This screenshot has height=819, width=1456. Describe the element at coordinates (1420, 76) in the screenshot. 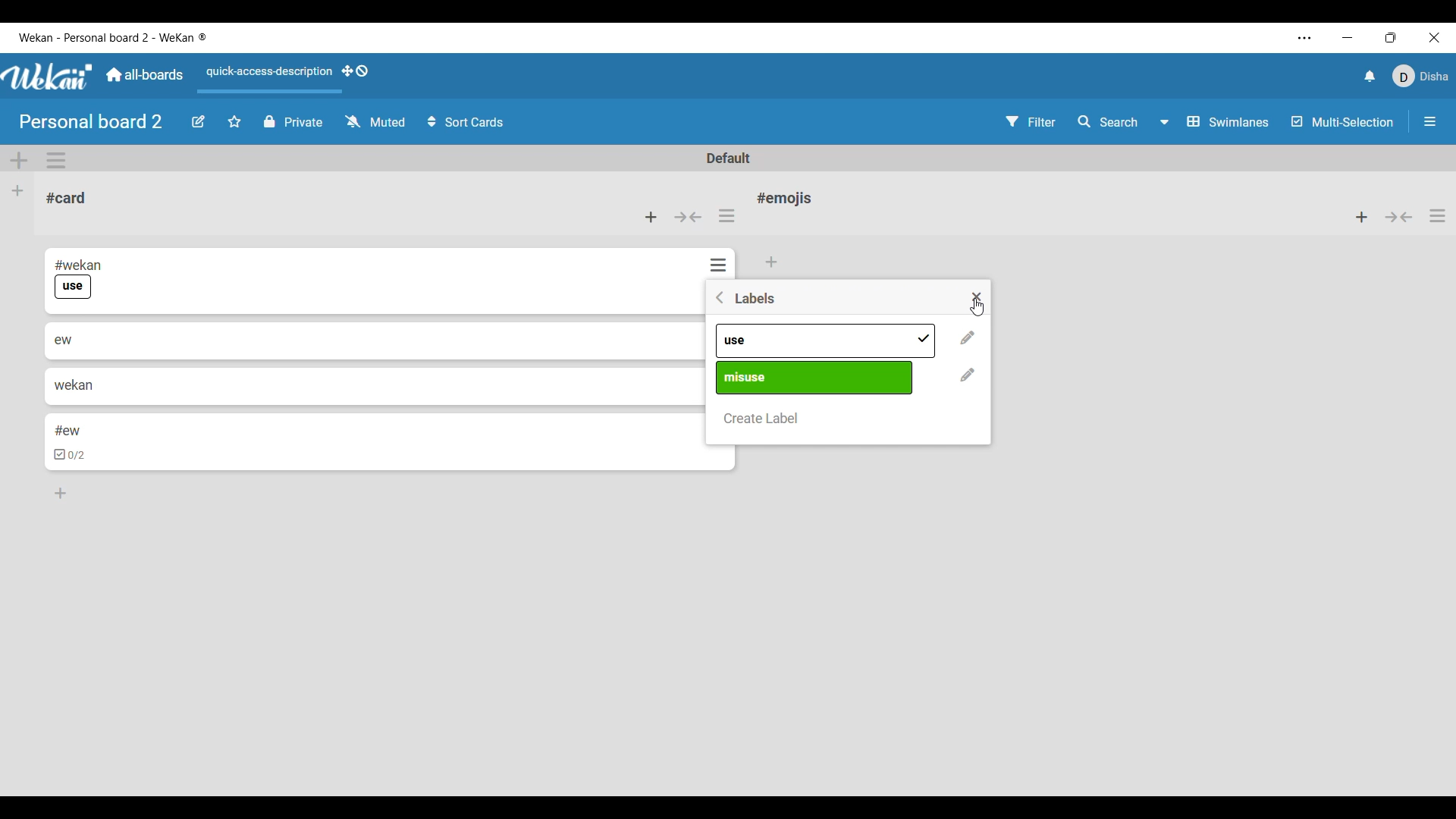

I see `Current account` at that location.